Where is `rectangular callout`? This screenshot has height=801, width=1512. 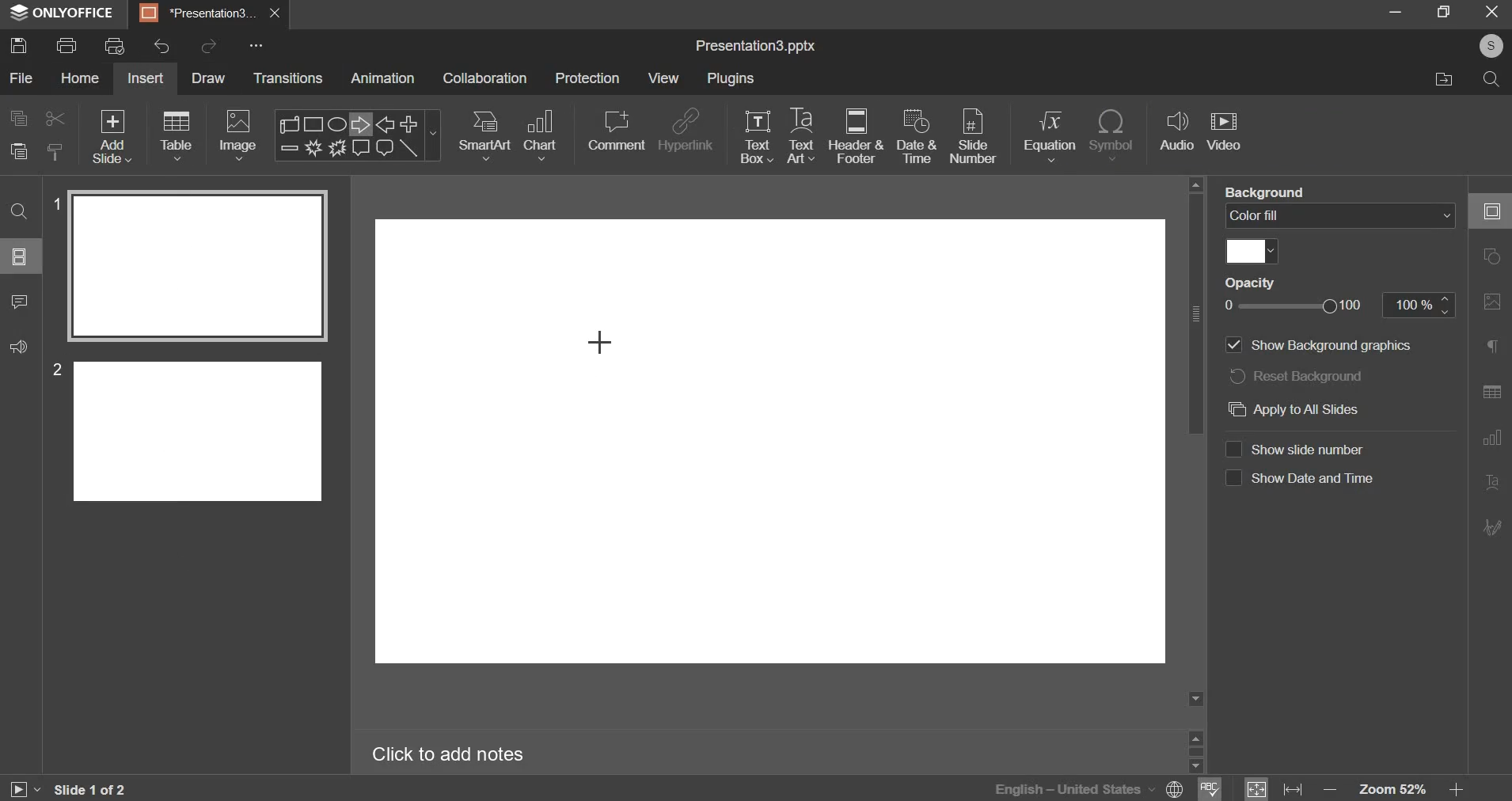 rectangular callout is located at coordinates (360, 148).